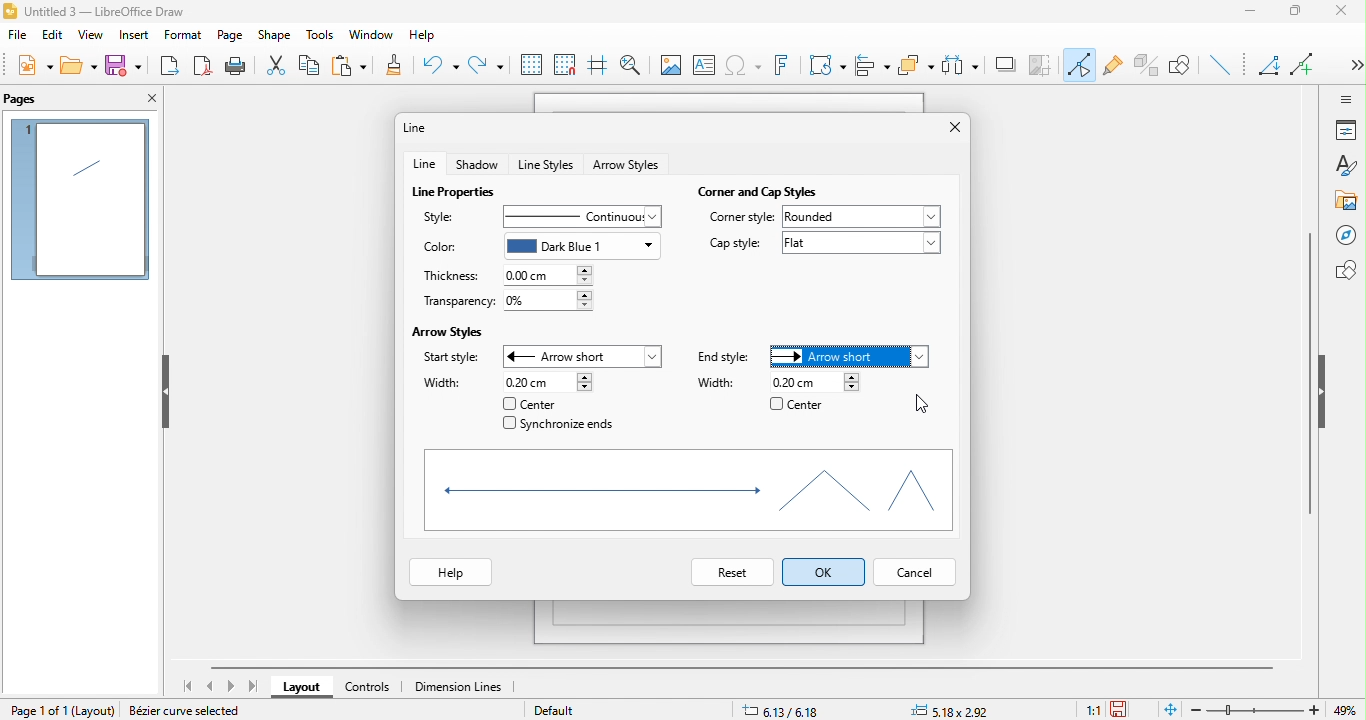  I want to click on previous page, so click(212, 684).